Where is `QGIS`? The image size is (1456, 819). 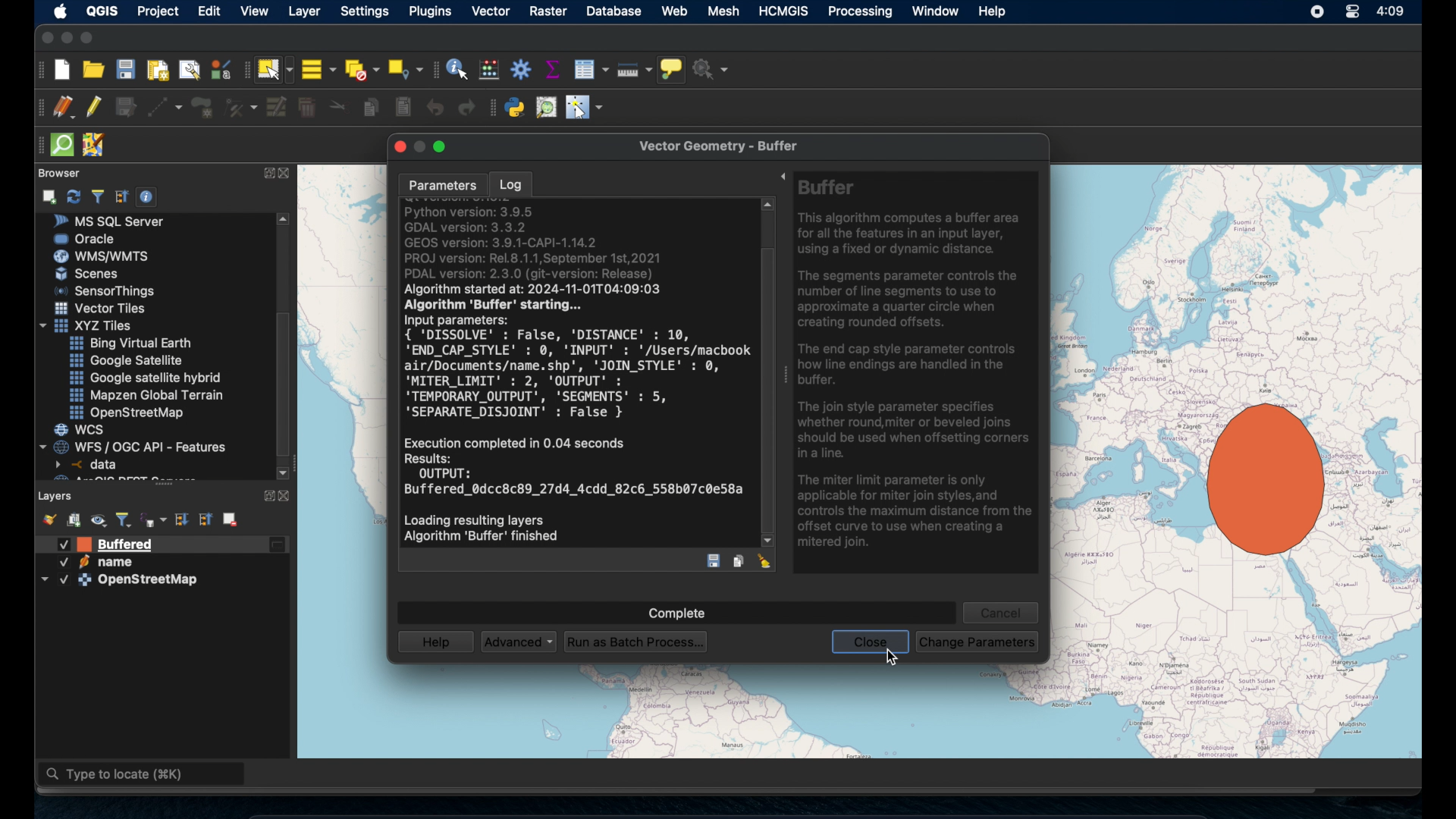
QGIS is located at coordinates (102, 10).